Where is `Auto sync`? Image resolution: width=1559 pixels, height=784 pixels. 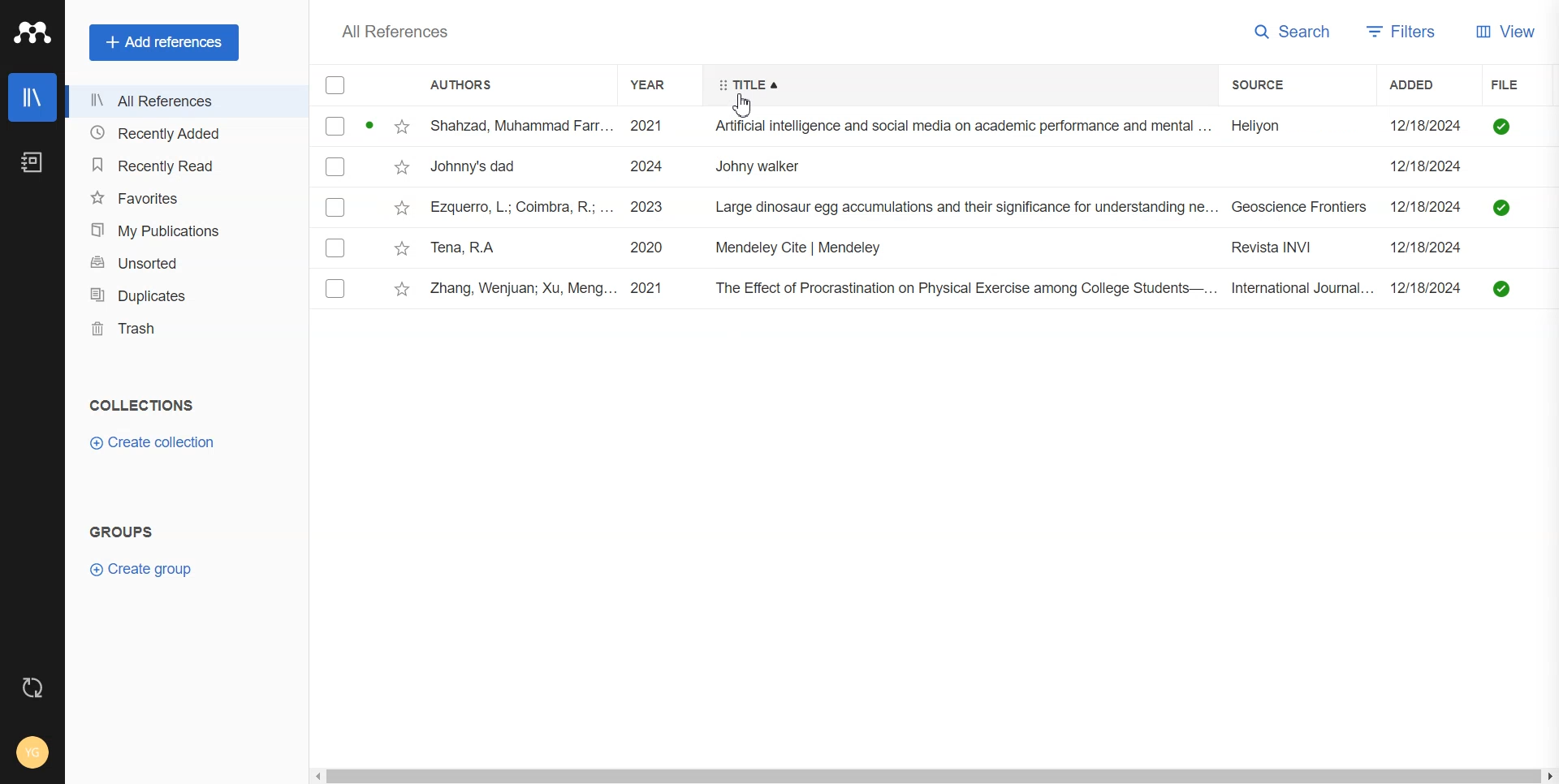 Auto sync is located at coordinates (32, 687).